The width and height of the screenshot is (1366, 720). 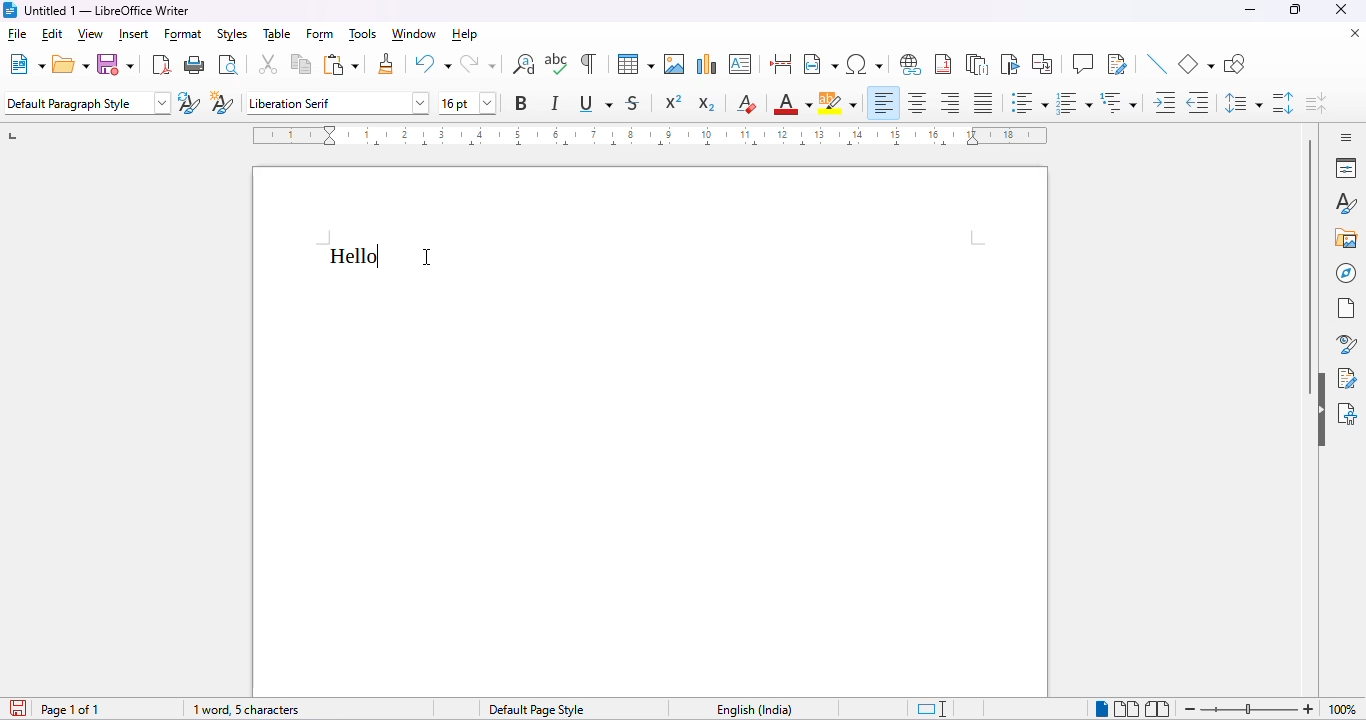 I want to click on italic, so click(x=556, y=104).